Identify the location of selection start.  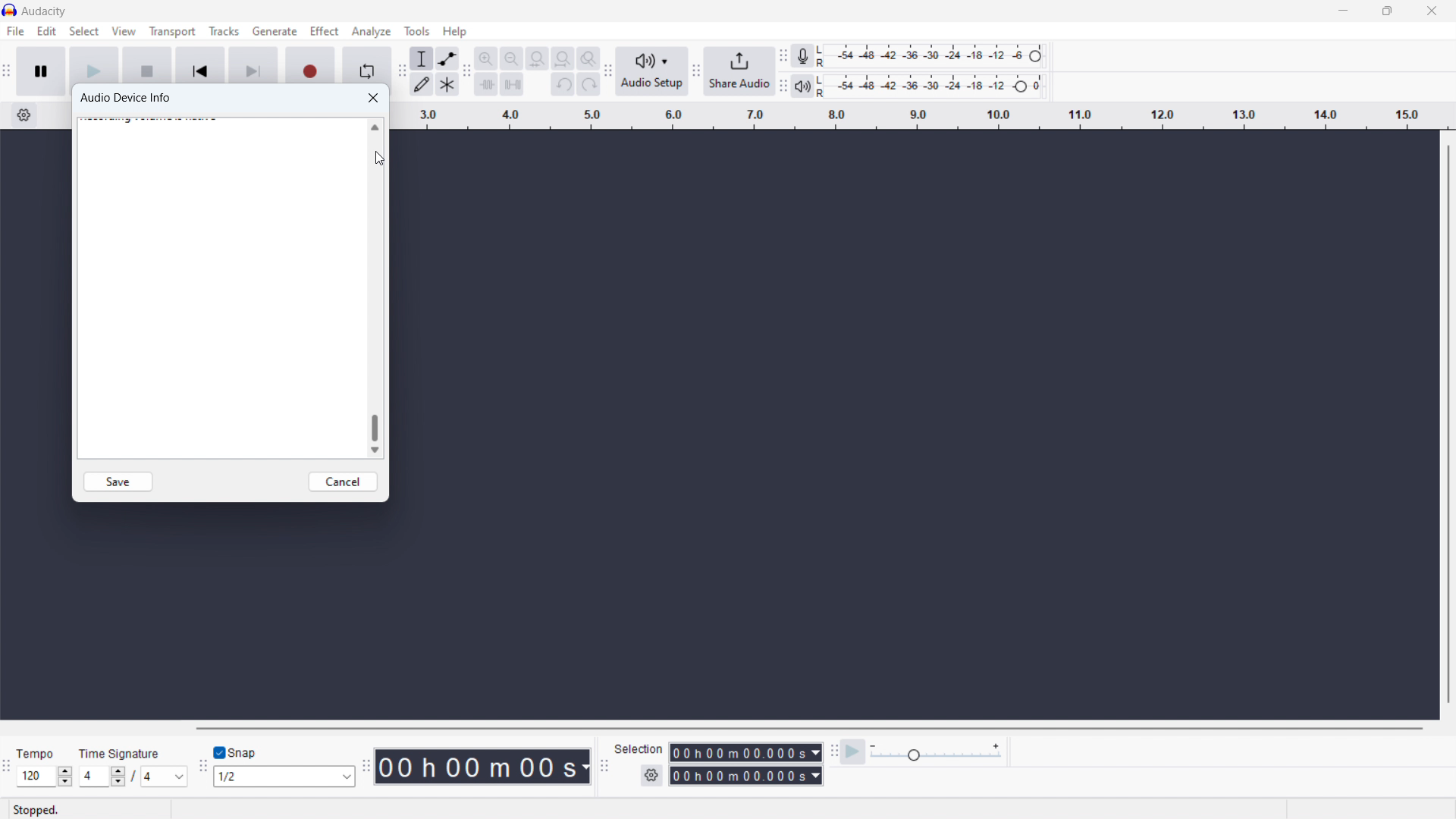
(745, 752).